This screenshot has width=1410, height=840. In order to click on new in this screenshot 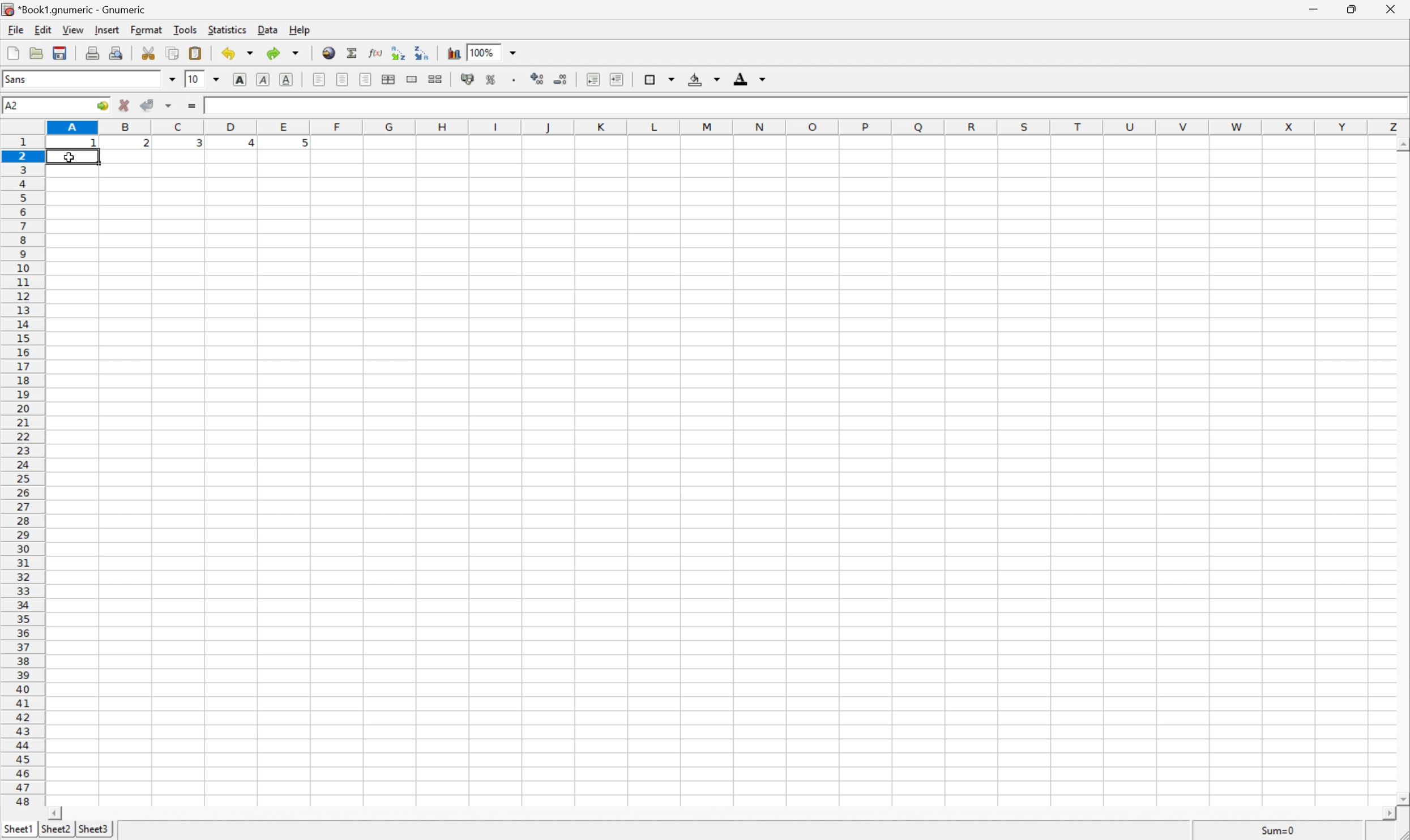, I will do `click(14, 52)`.